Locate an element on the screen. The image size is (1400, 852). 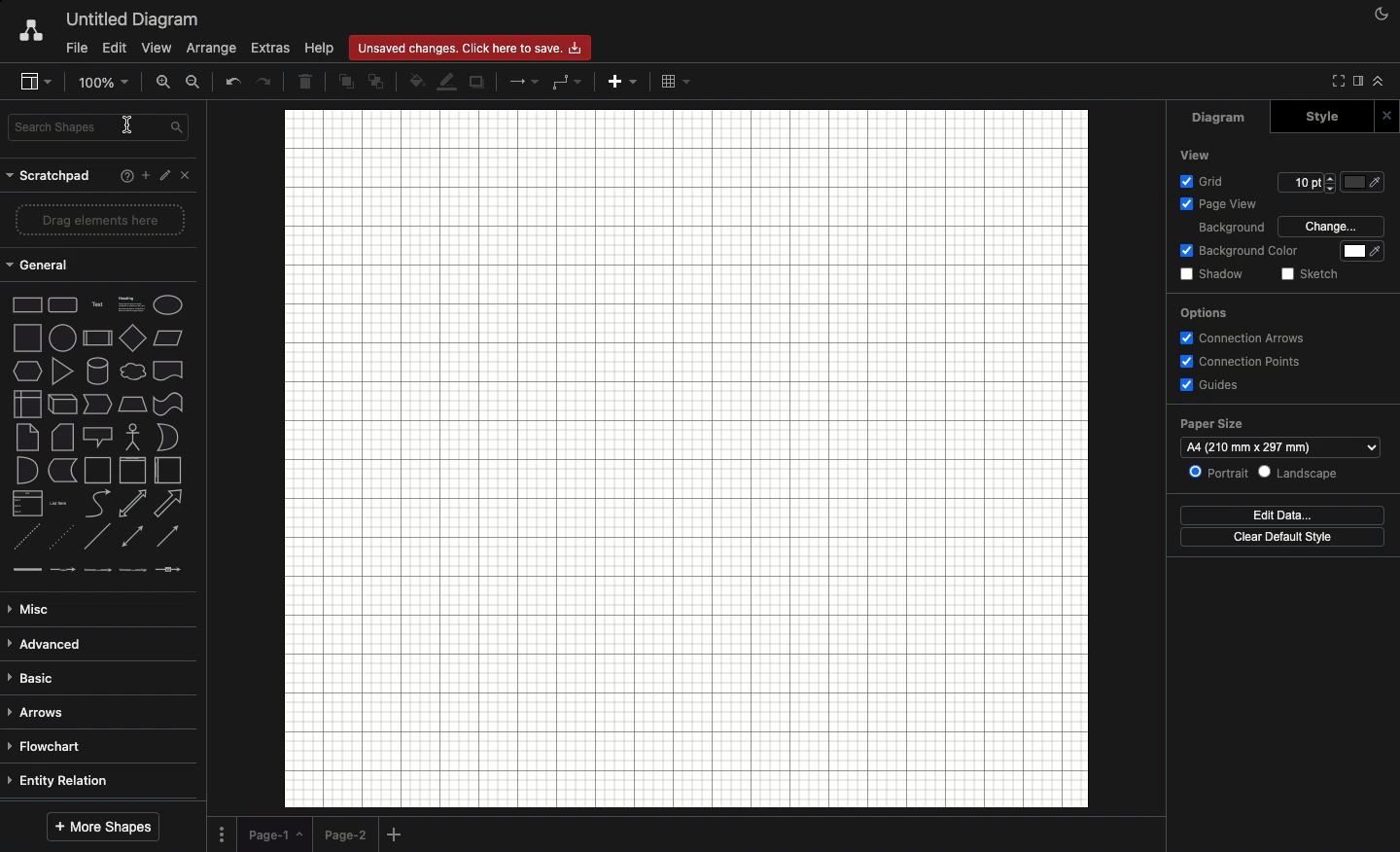
Scratchpad is located at coordinates (49, 179).